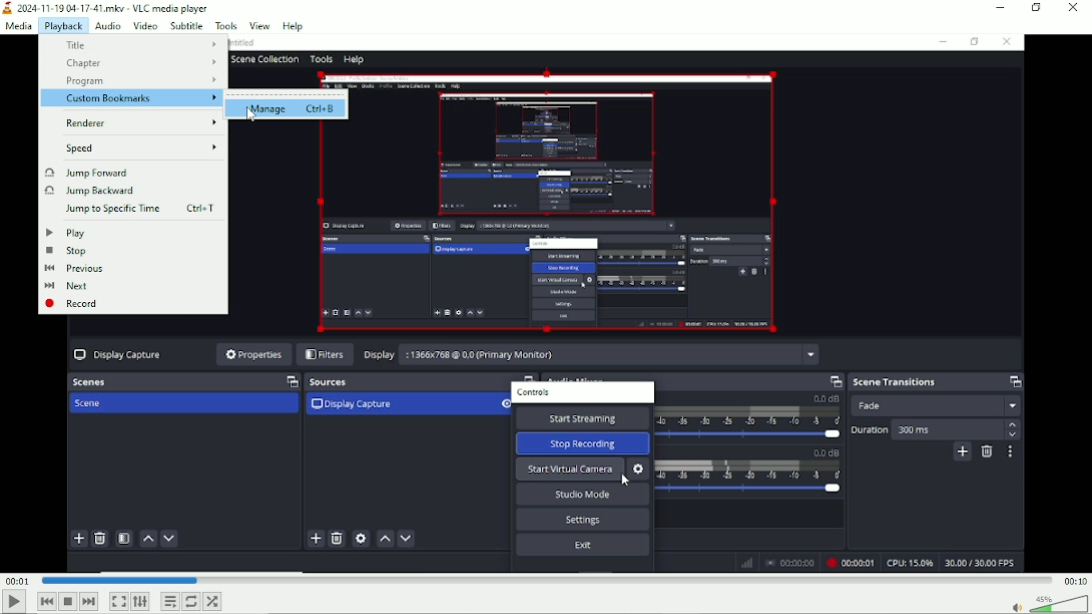 This screenshot has height=614, width=1092. I want to click on 2024-11-19 04-17.41.mkv - VLC media player, so click(107, 8).